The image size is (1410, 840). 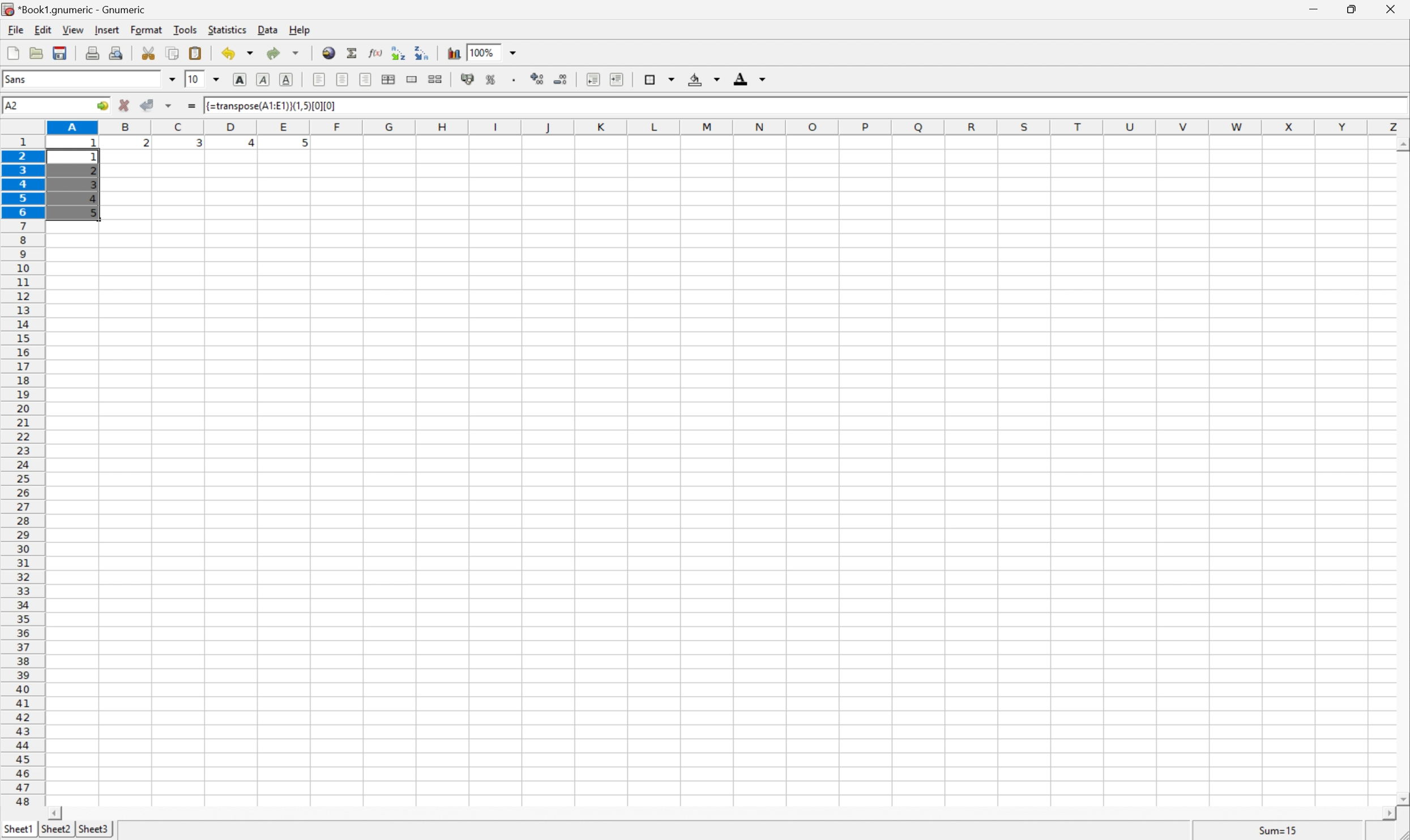 What do you see at coordinates (238, 52) in the screenshot?
I see `undo` at bounding box center [238, 52].